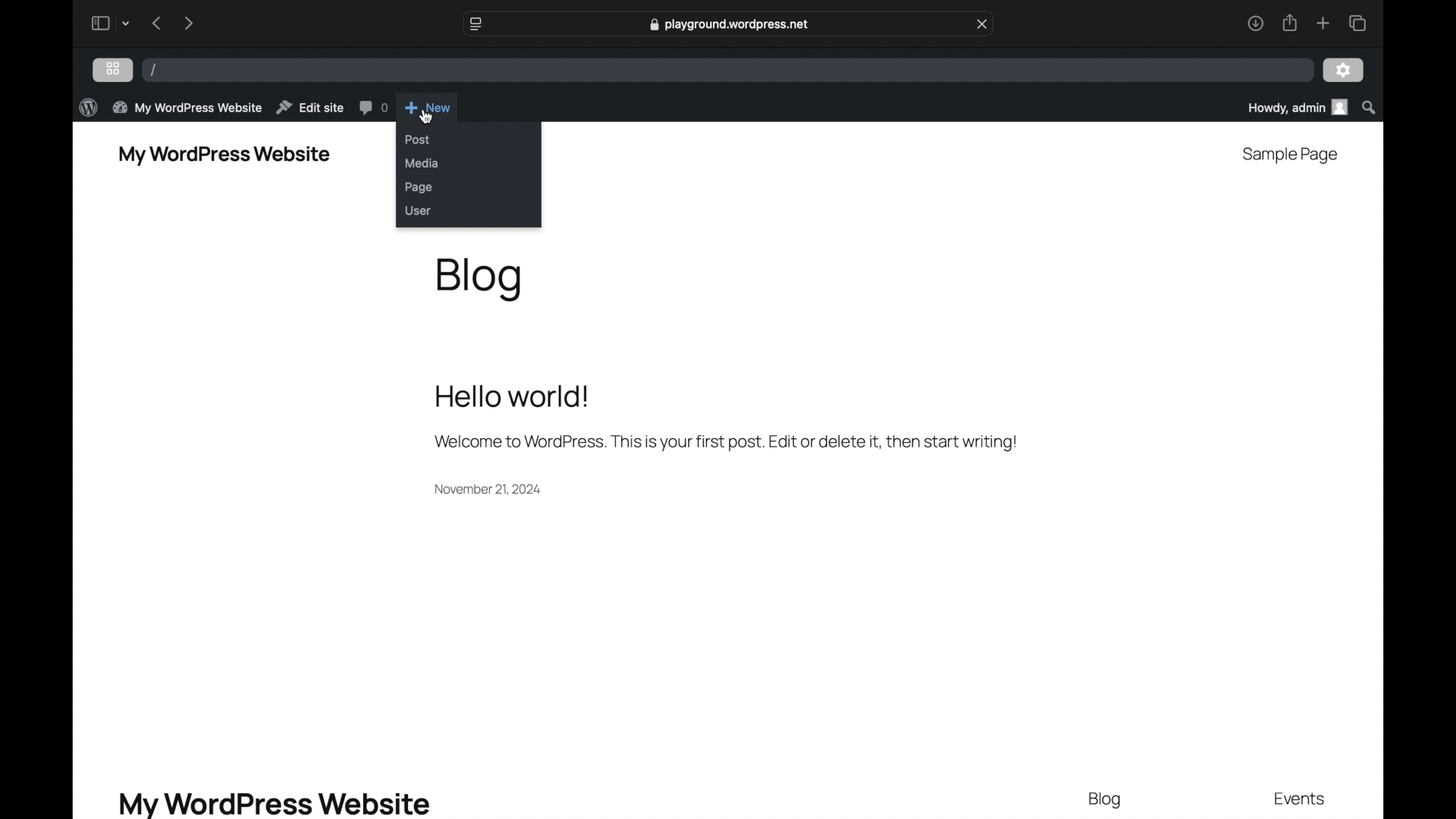 The image size is (1456, 819). What do you see at coordinates (1291, 155) in the screenshot?
I see `sample page` at bounding box center [1291, 155].